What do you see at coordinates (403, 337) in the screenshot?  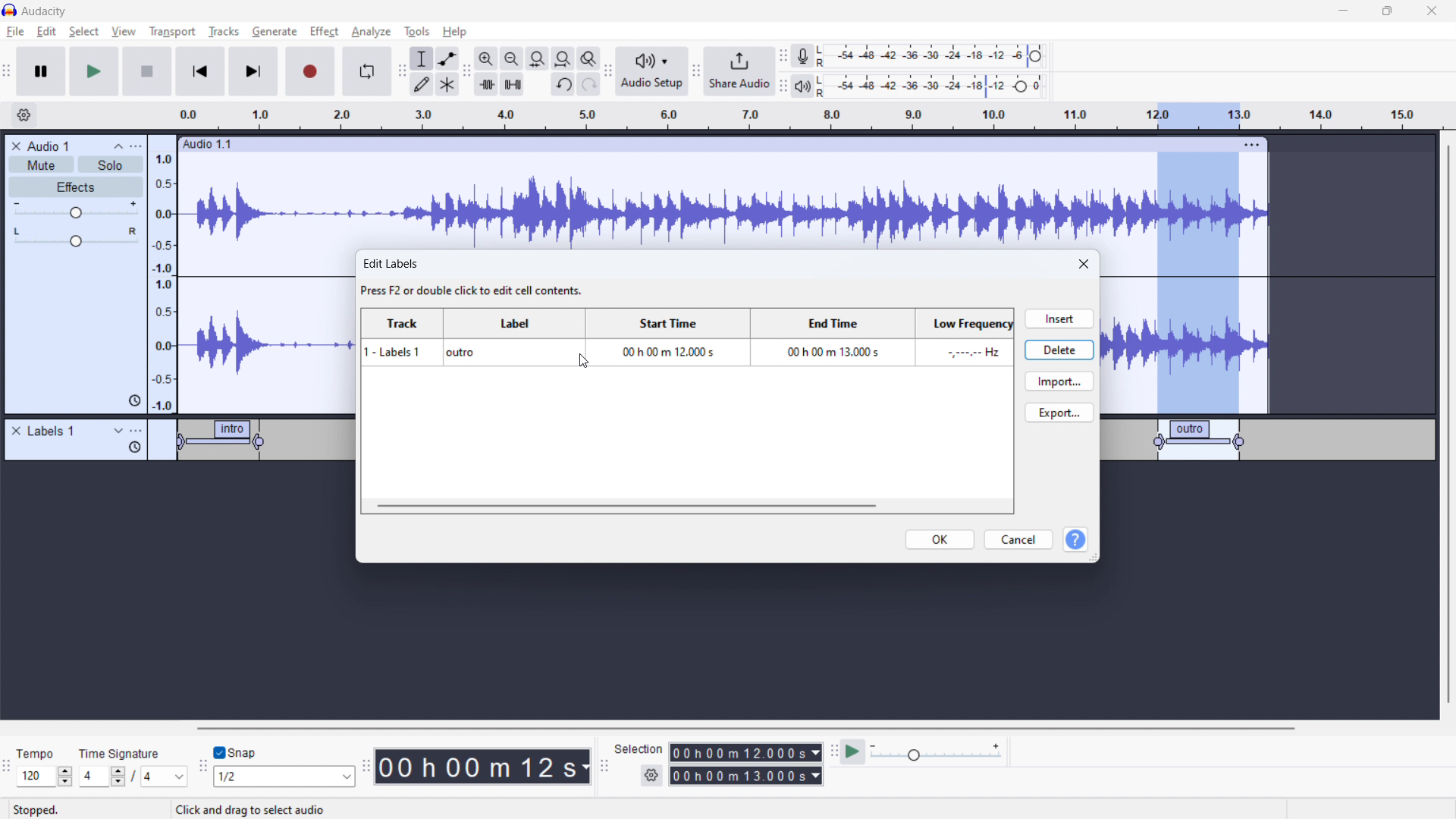 I see `track` at bounding box center [403, 337].